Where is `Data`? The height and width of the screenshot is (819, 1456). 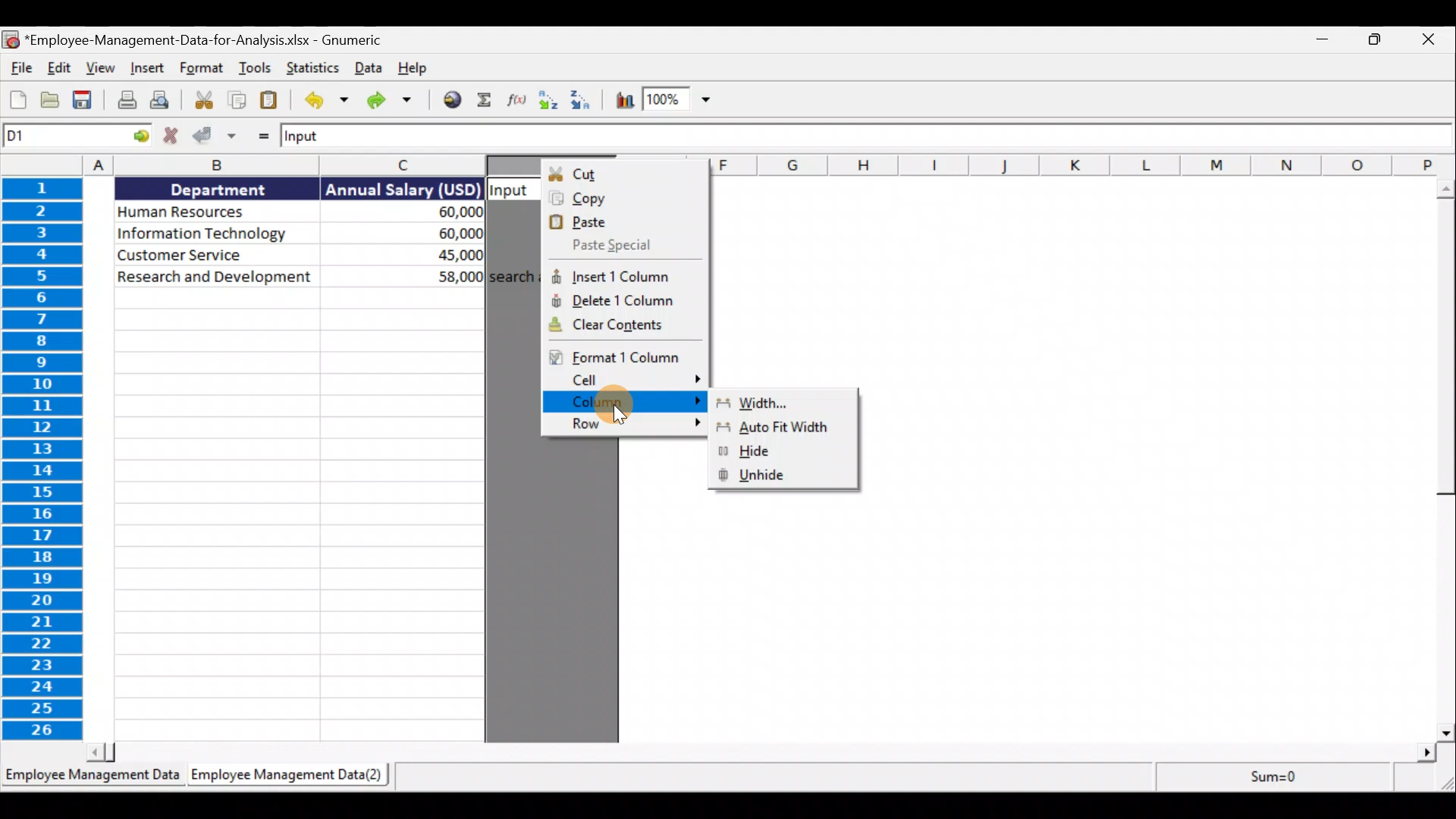
Data is located at coordinates (368, 66).